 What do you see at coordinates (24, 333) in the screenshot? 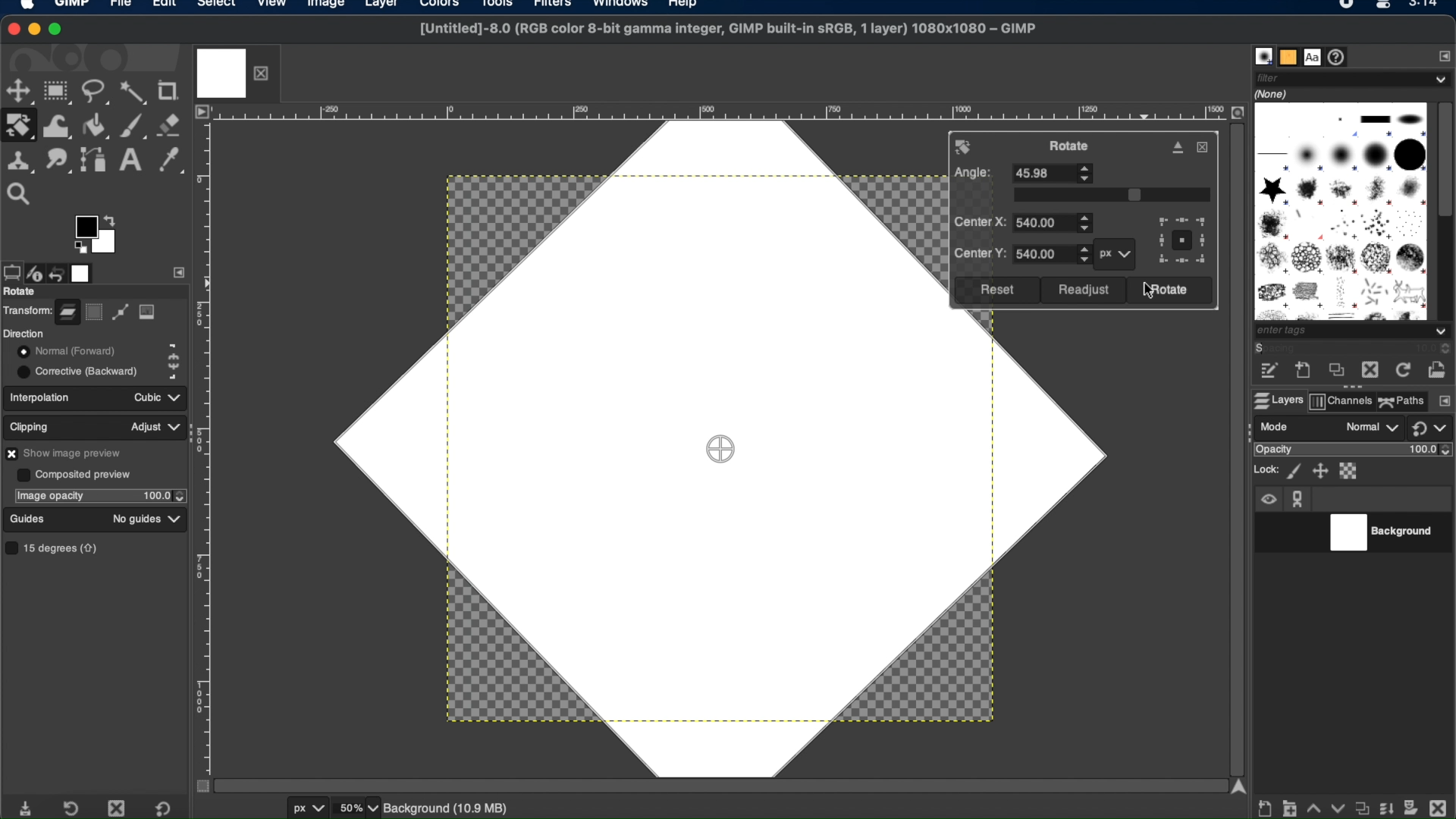
I see `direction` at bounding box center [24, 333].